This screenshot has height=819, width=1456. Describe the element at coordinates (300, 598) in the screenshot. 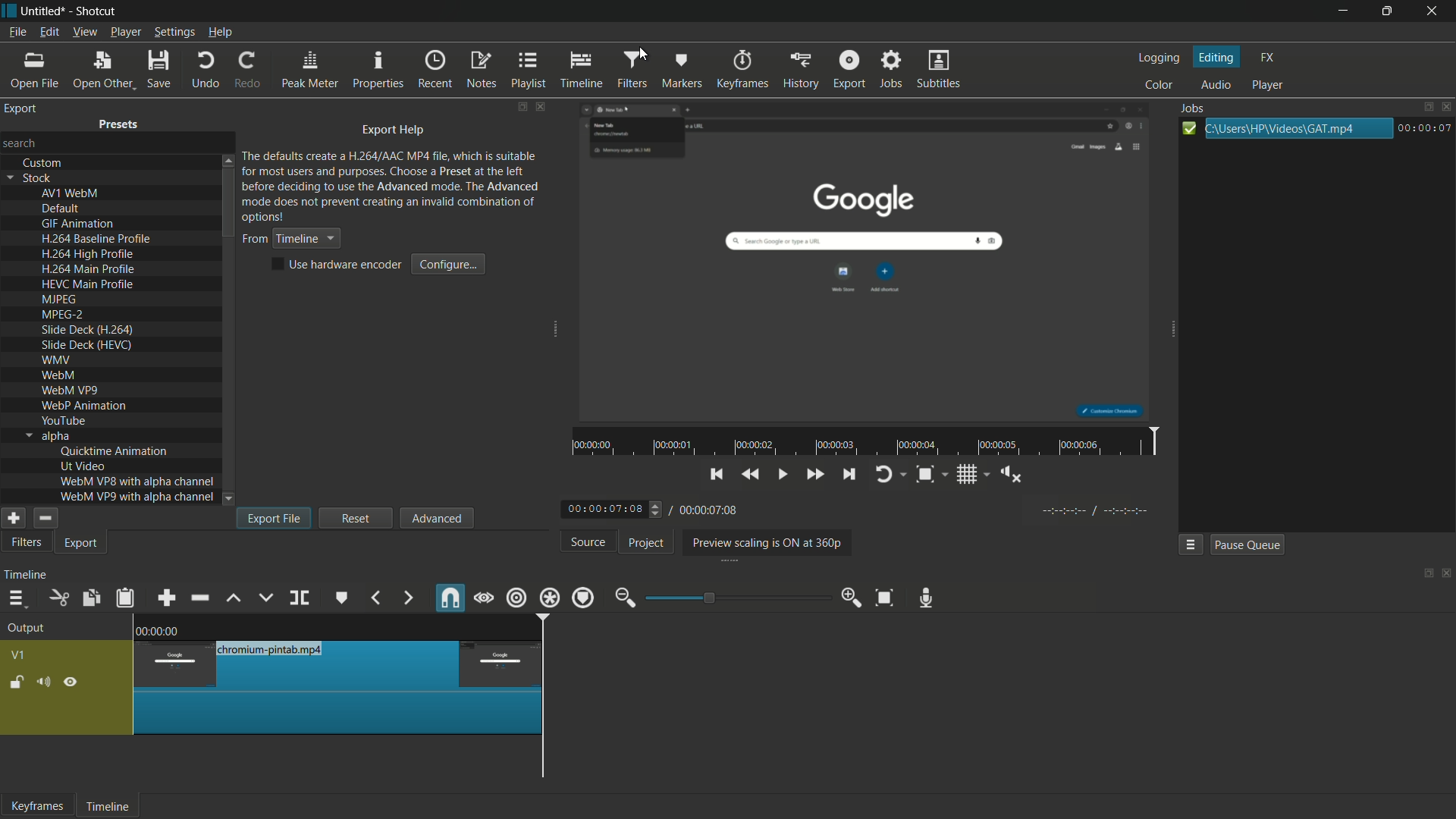

I see `split at playhead` at that location.